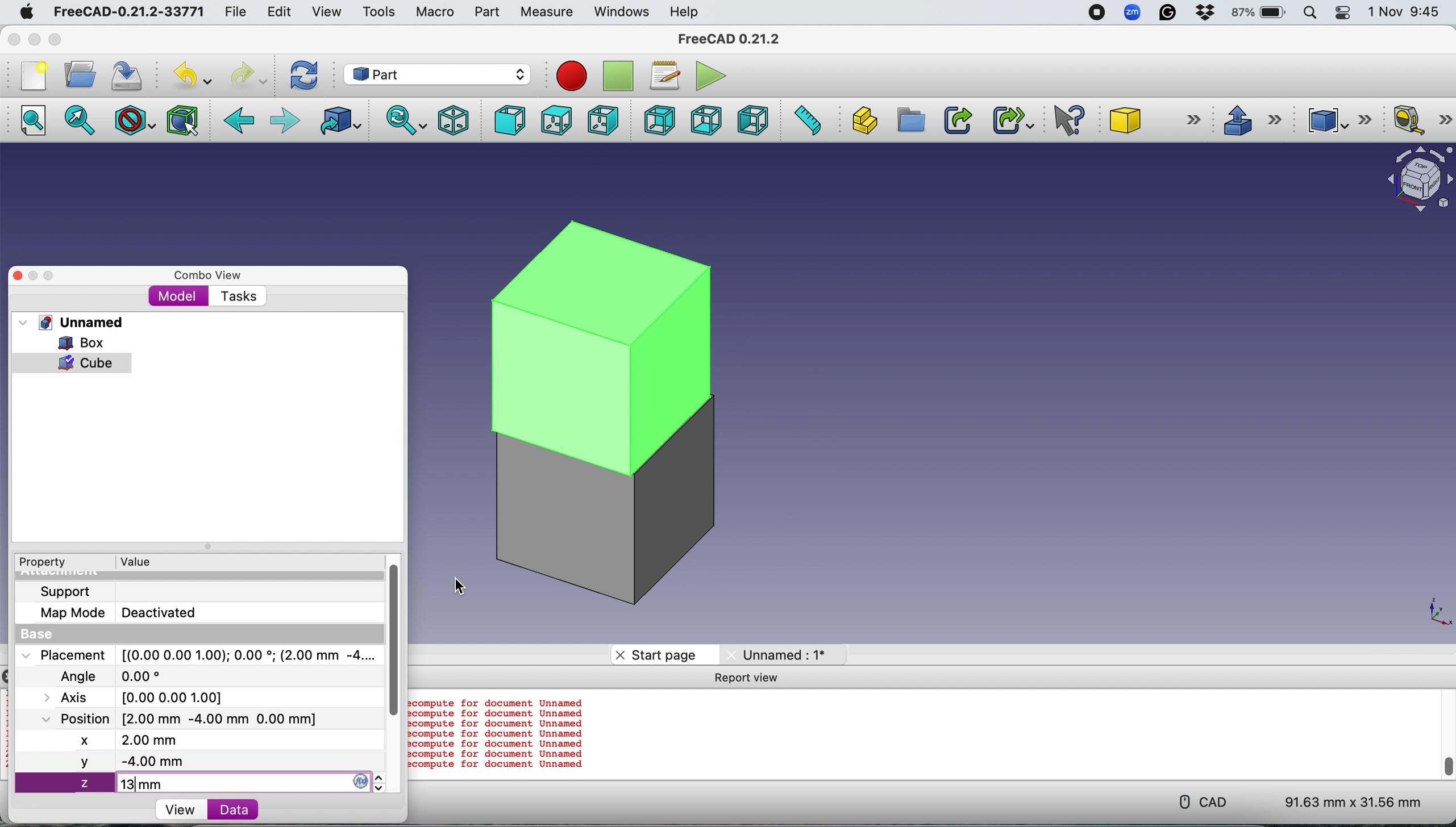  What do you see at coordinates (461, 589) in the screenshot?
I see `cursor` at bounding box center [461, 589].